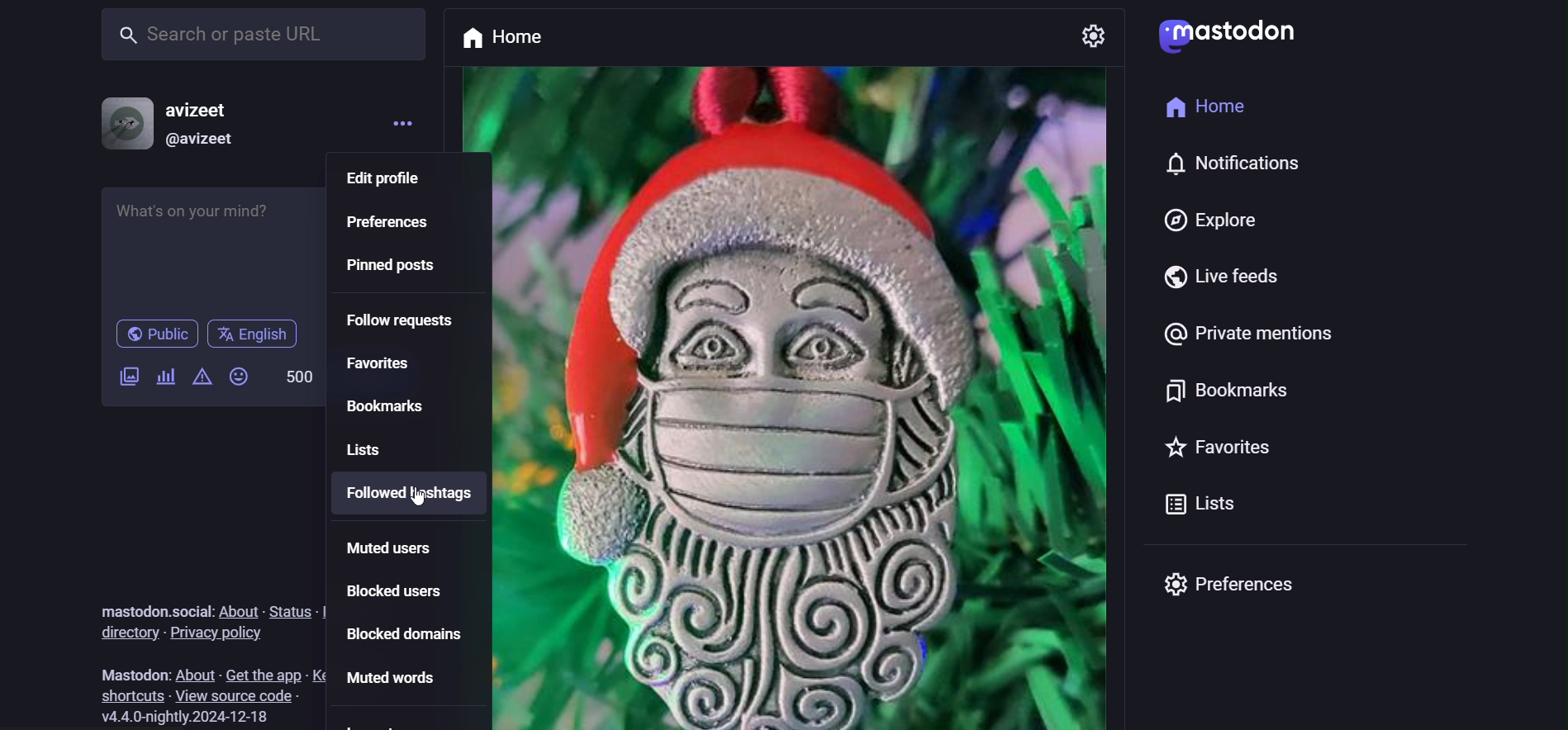  Describe the element at coordinates (242, 694) in the screenshot. I see `view source code` at that location.